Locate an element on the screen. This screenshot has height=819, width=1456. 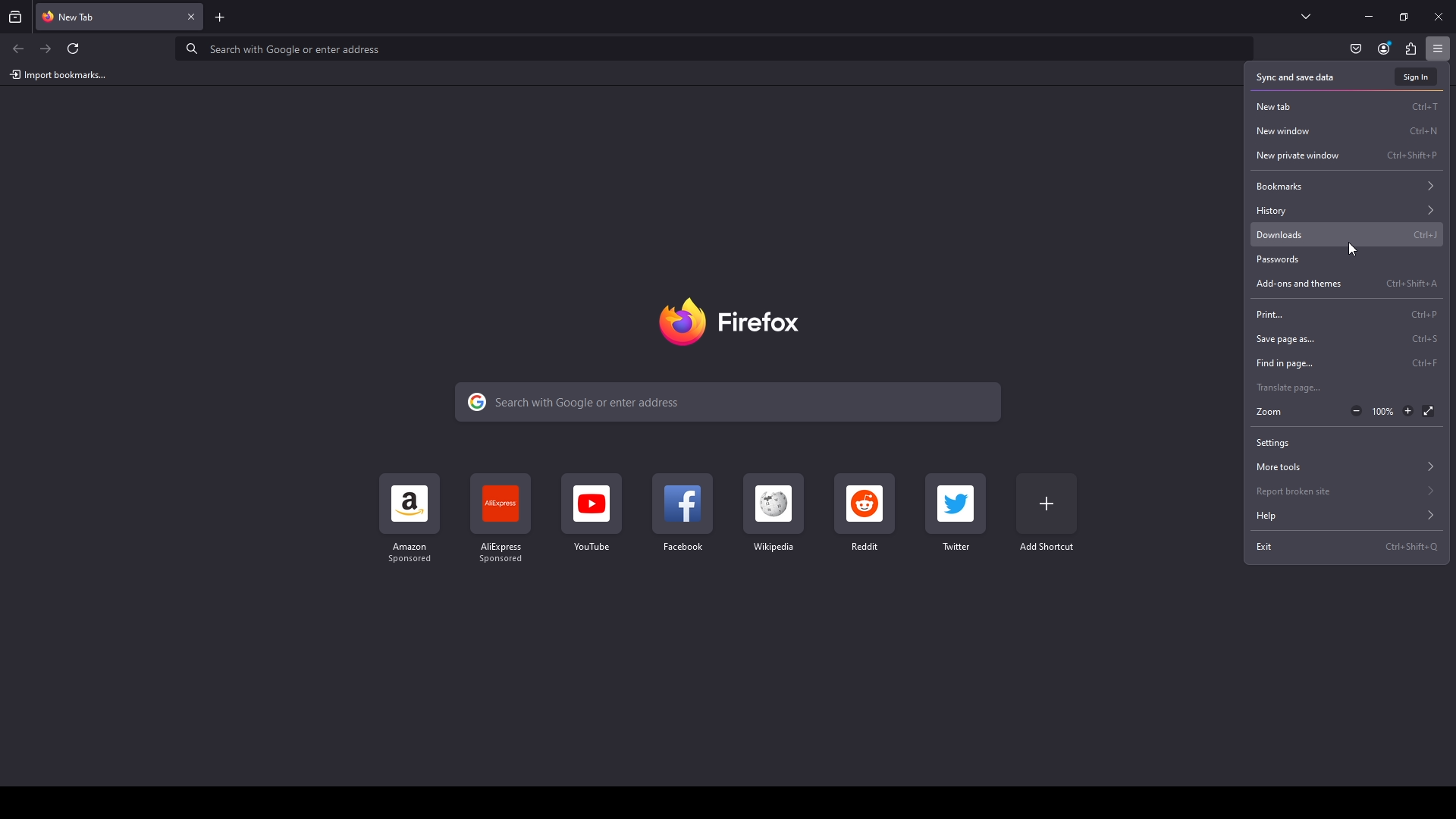
Display full screen is located at coordinates (1429, 412).